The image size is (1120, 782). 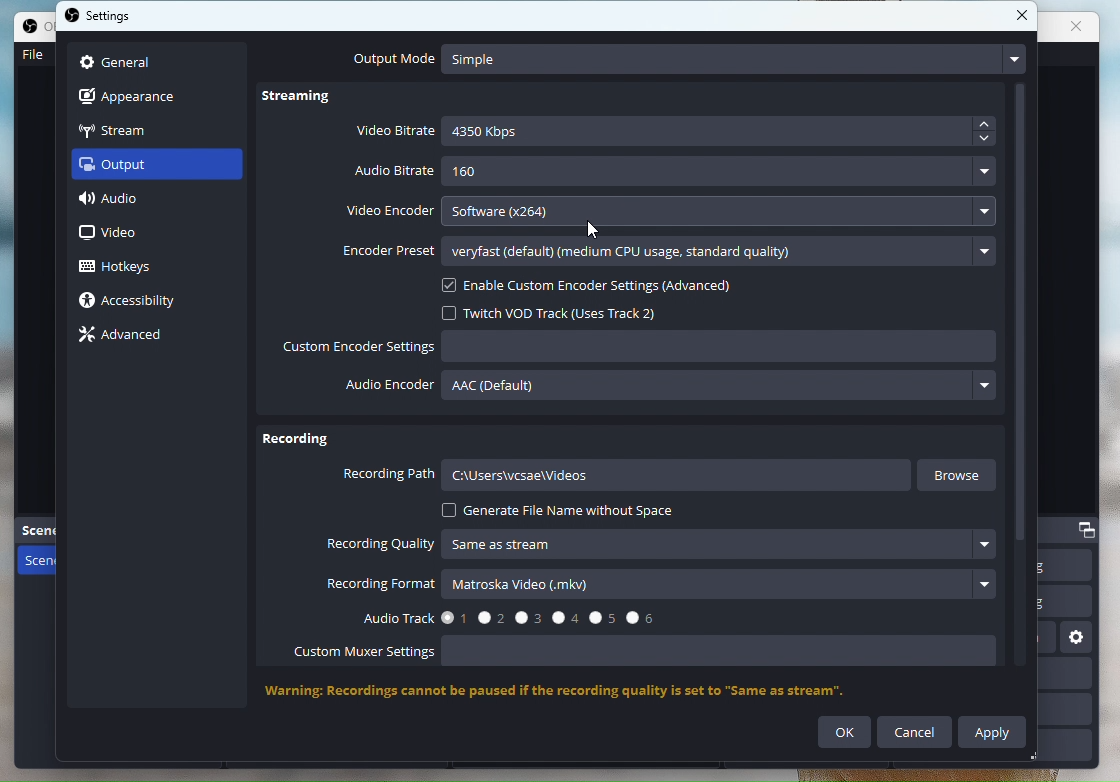 I want to click on Advance, so click(x=128, y=335).